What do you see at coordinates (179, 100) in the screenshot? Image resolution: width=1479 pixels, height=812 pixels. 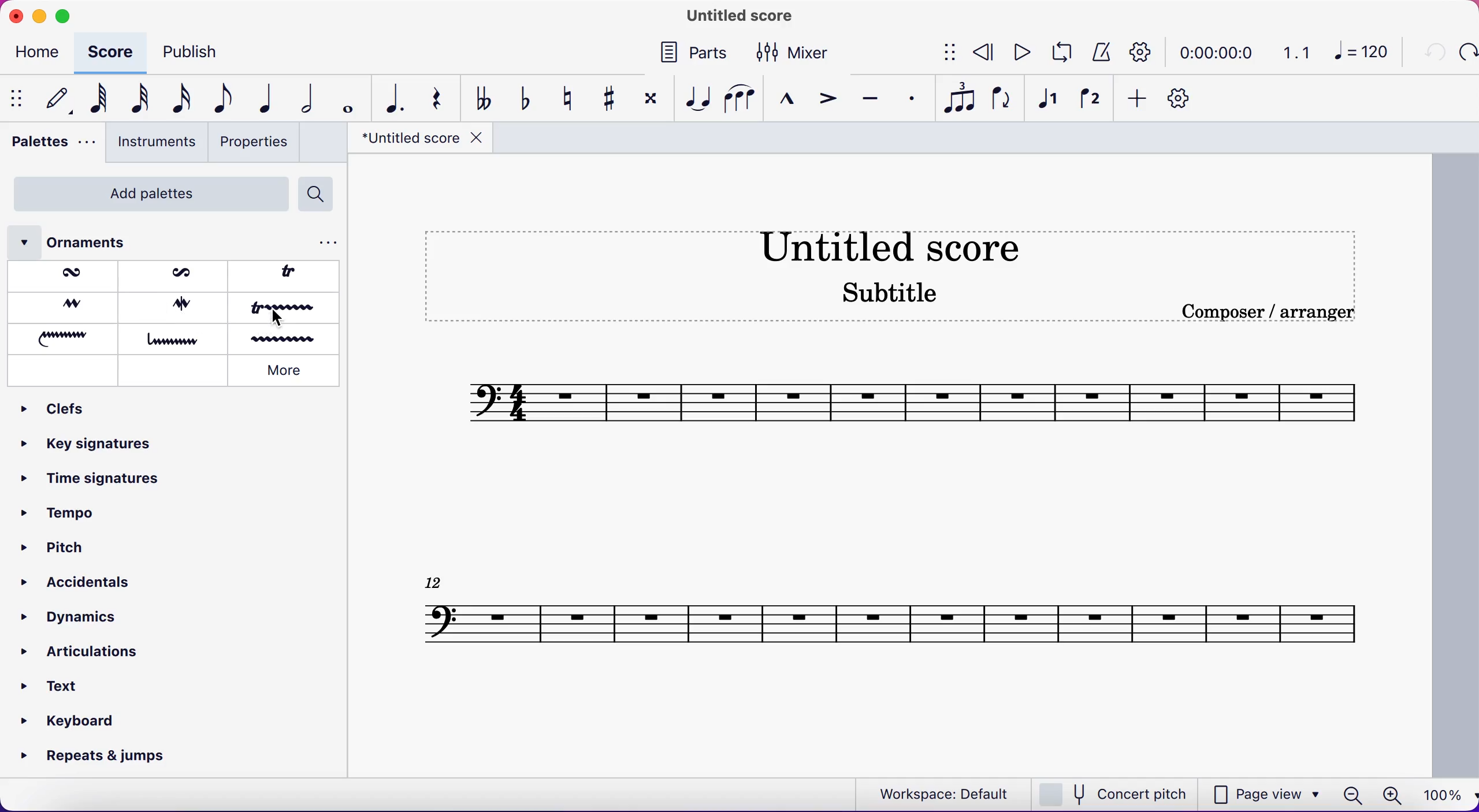 I see `16th note` at bounding box center [179, 100].